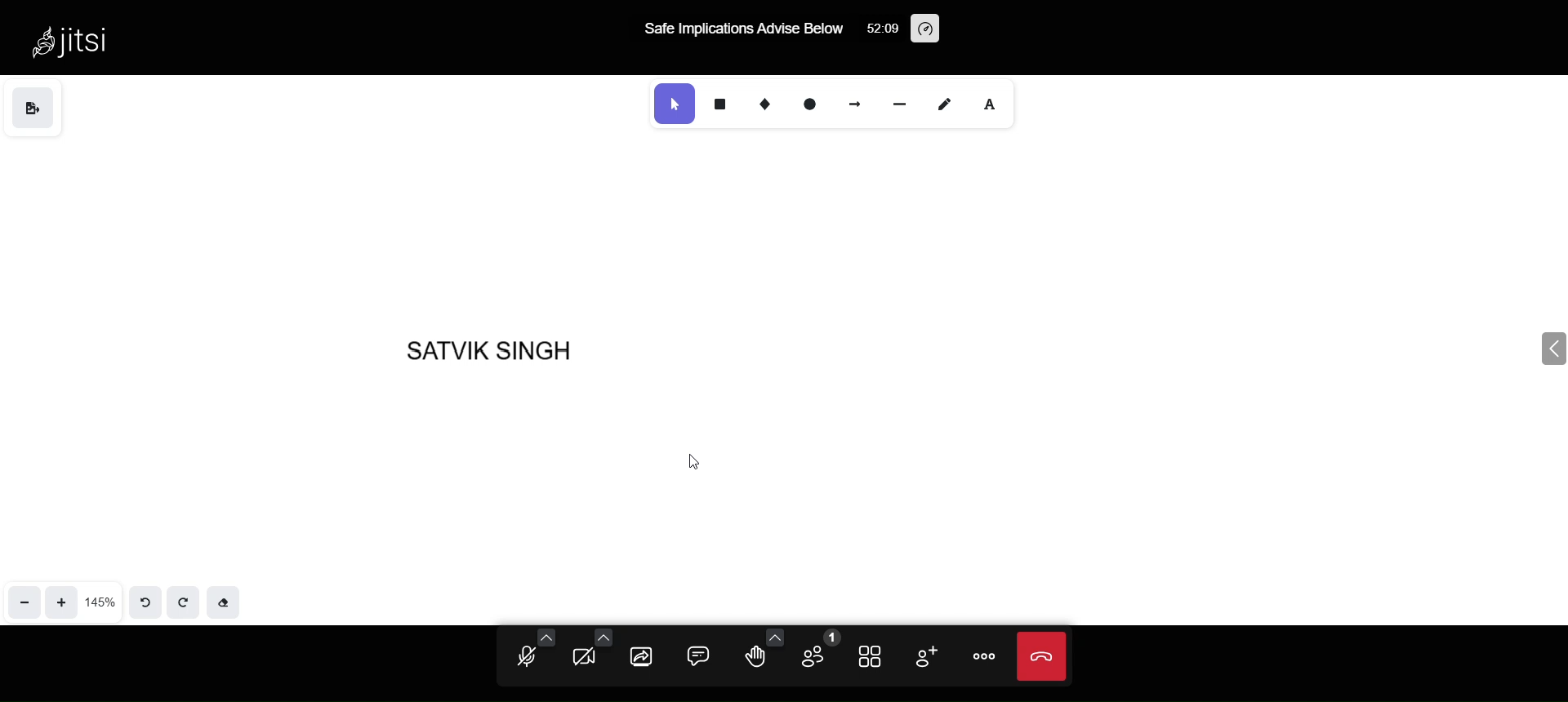 Image resolution: width=1568 pixels, height=702 pixels. I want to click on ellipse, so click(813, 105).